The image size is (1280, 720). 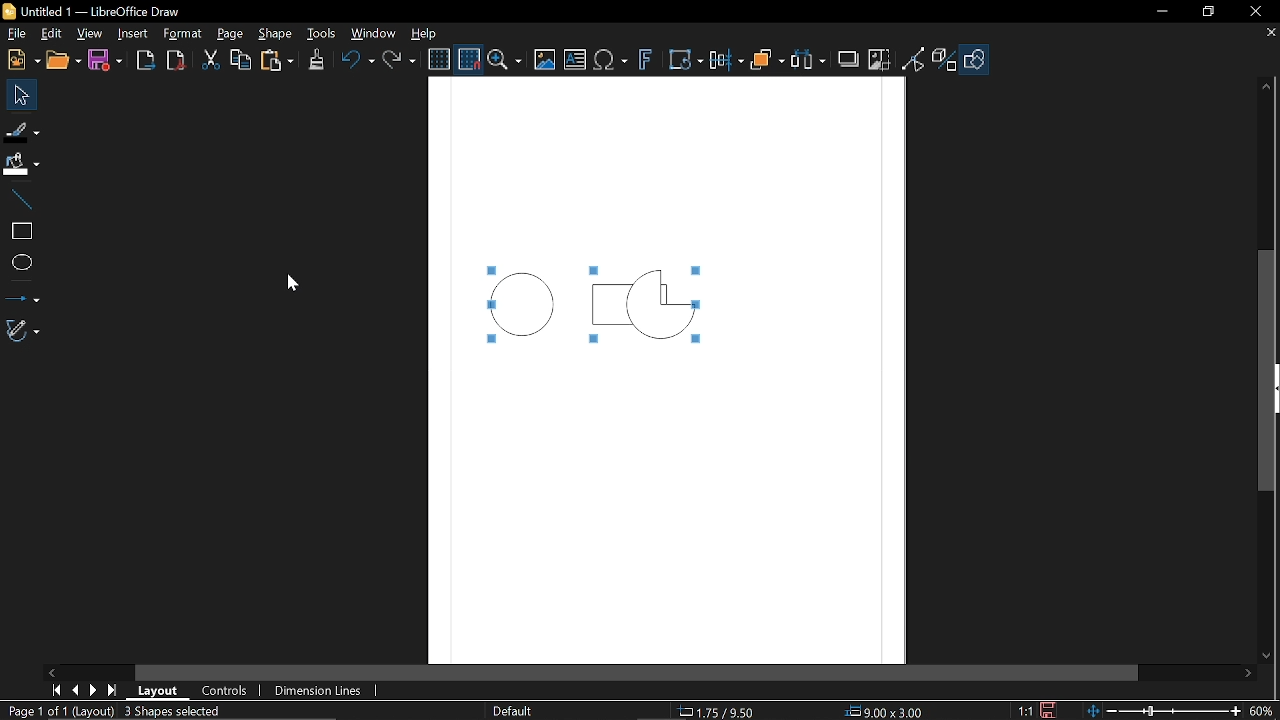 What do you see at coordinates (1266, 370) in the screenshot?
I see `Vertical scrollbar` at bounding box center [1266, 370].